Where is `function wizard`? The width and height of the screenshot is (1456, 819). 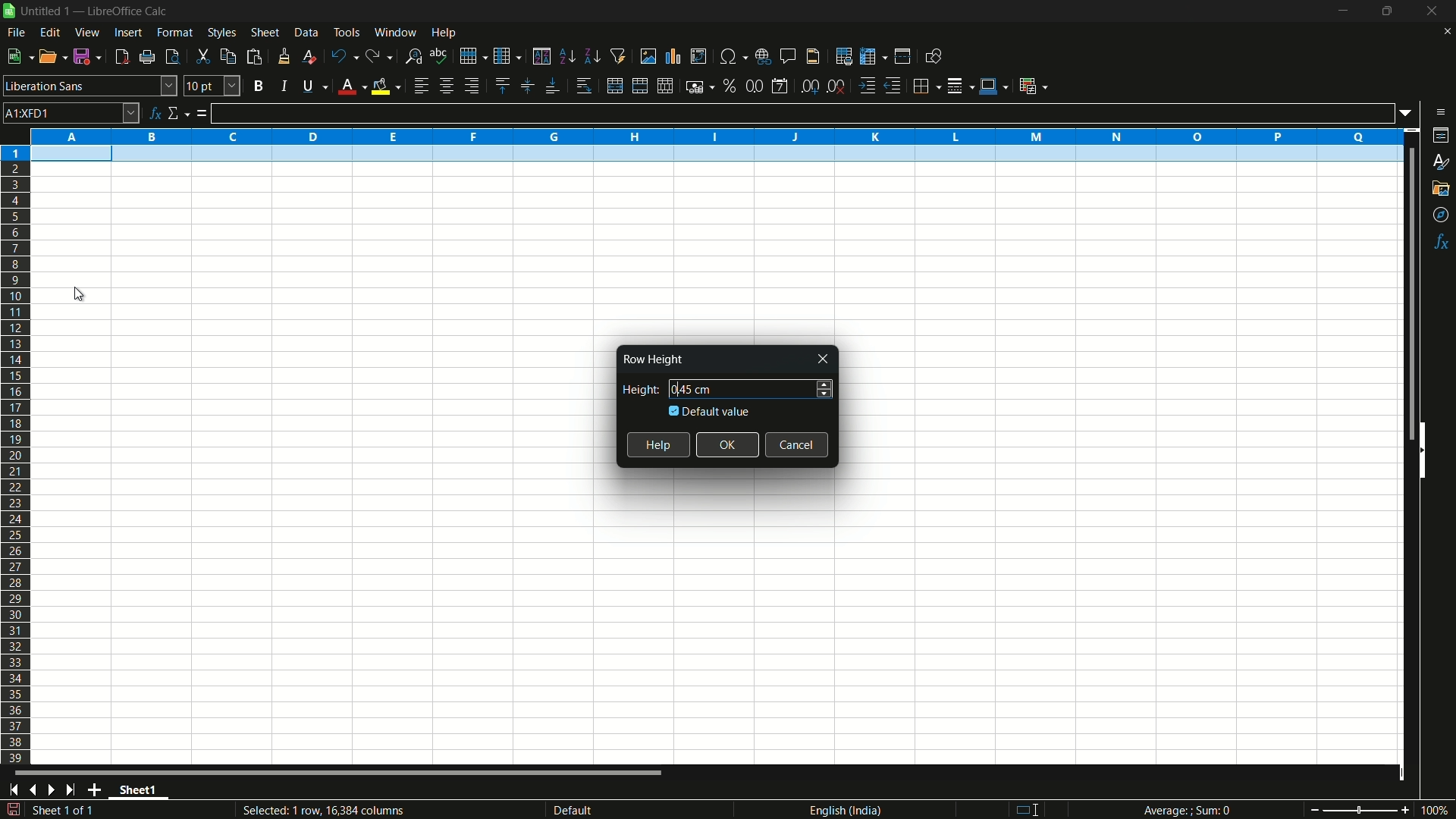 function wizard is located at coordinates (155, 113).